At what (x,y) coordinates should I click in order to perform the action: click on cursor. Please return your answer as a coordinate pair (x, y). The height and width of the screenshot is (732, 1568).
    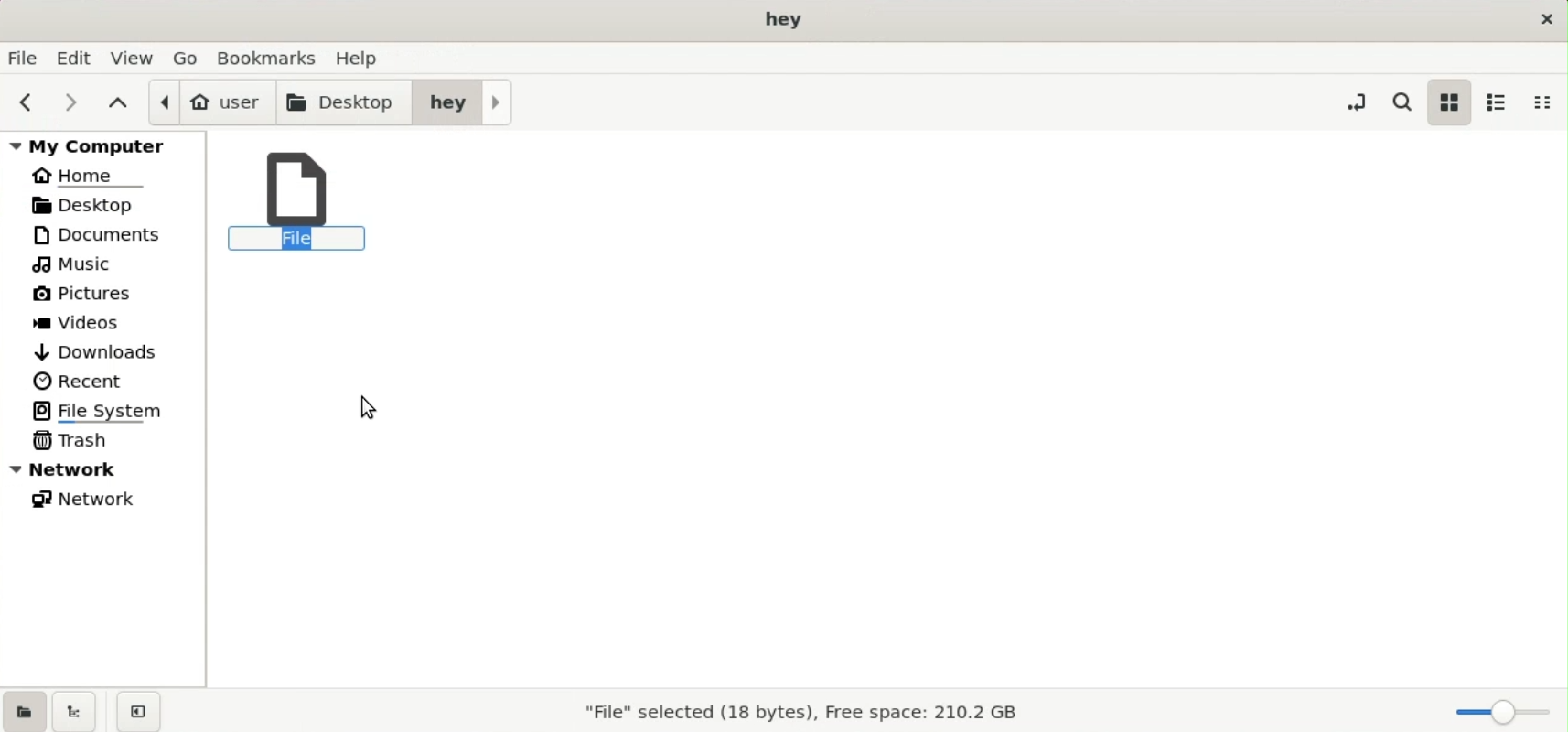
    Looking at the image, I should click on (373, 409).